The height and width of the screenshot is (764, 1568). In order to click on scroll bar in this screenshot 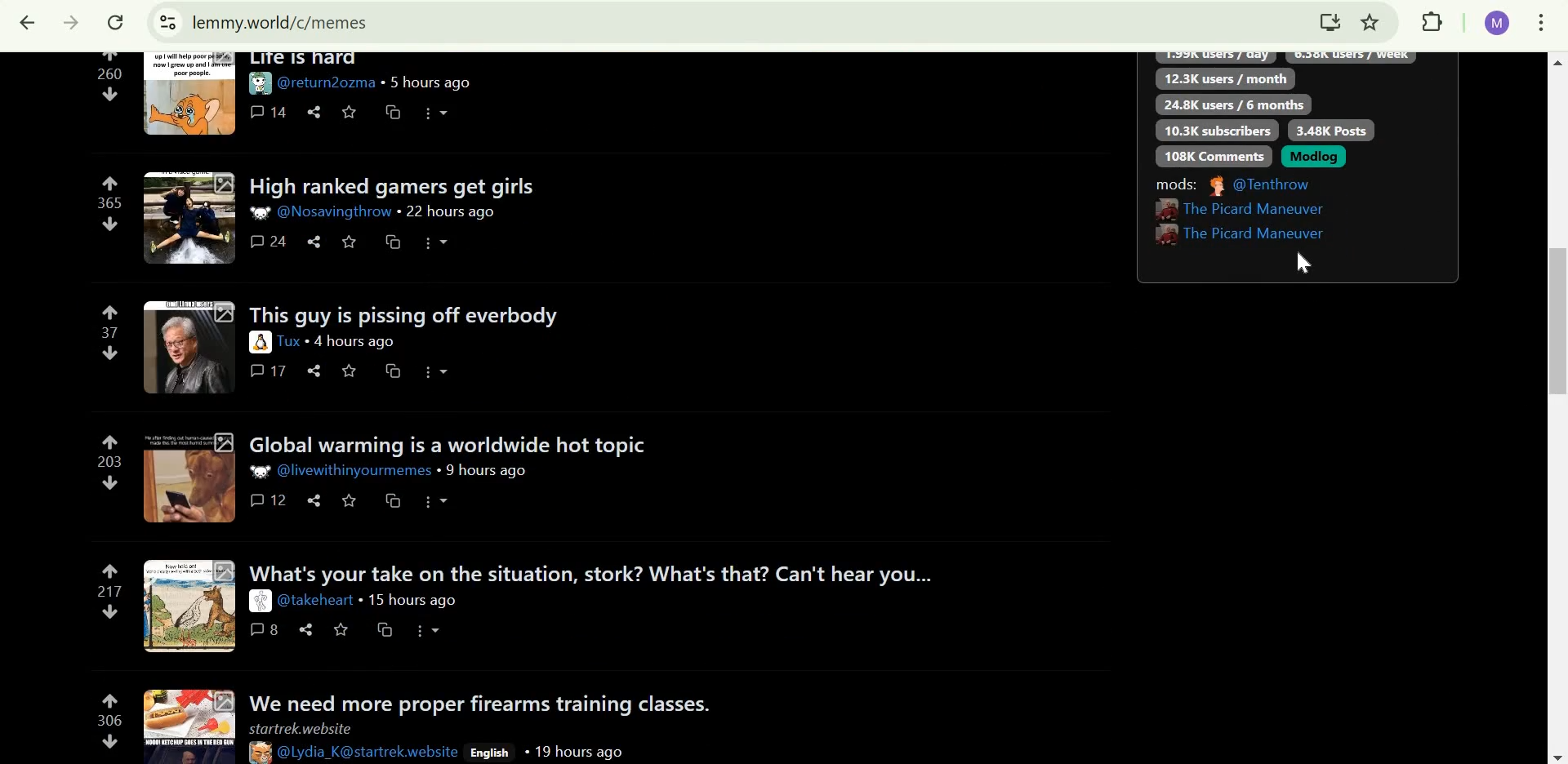, I will do `click(1555, 408)`.